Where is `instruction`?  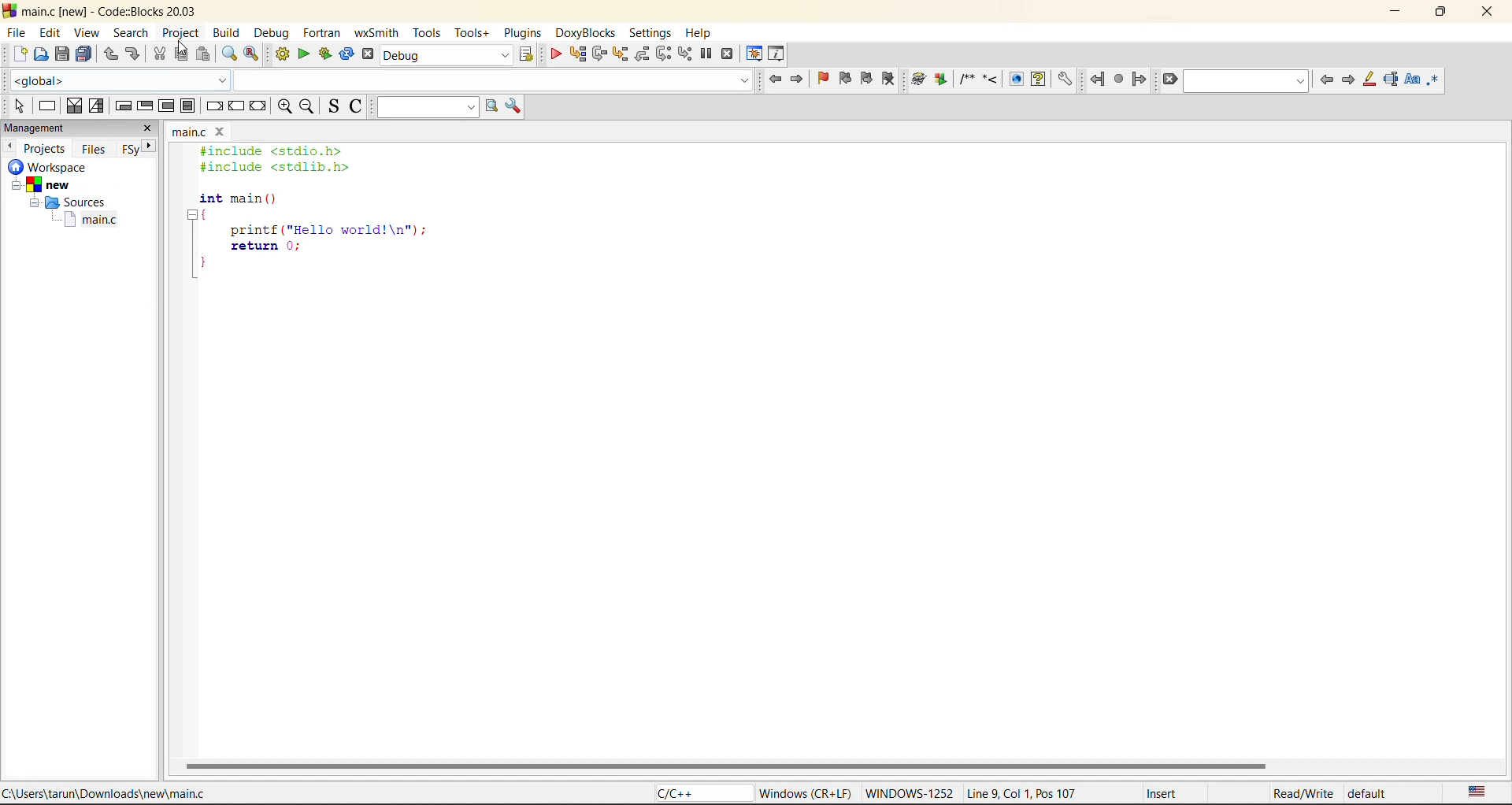 instruction is located at coordinates (50, 106).